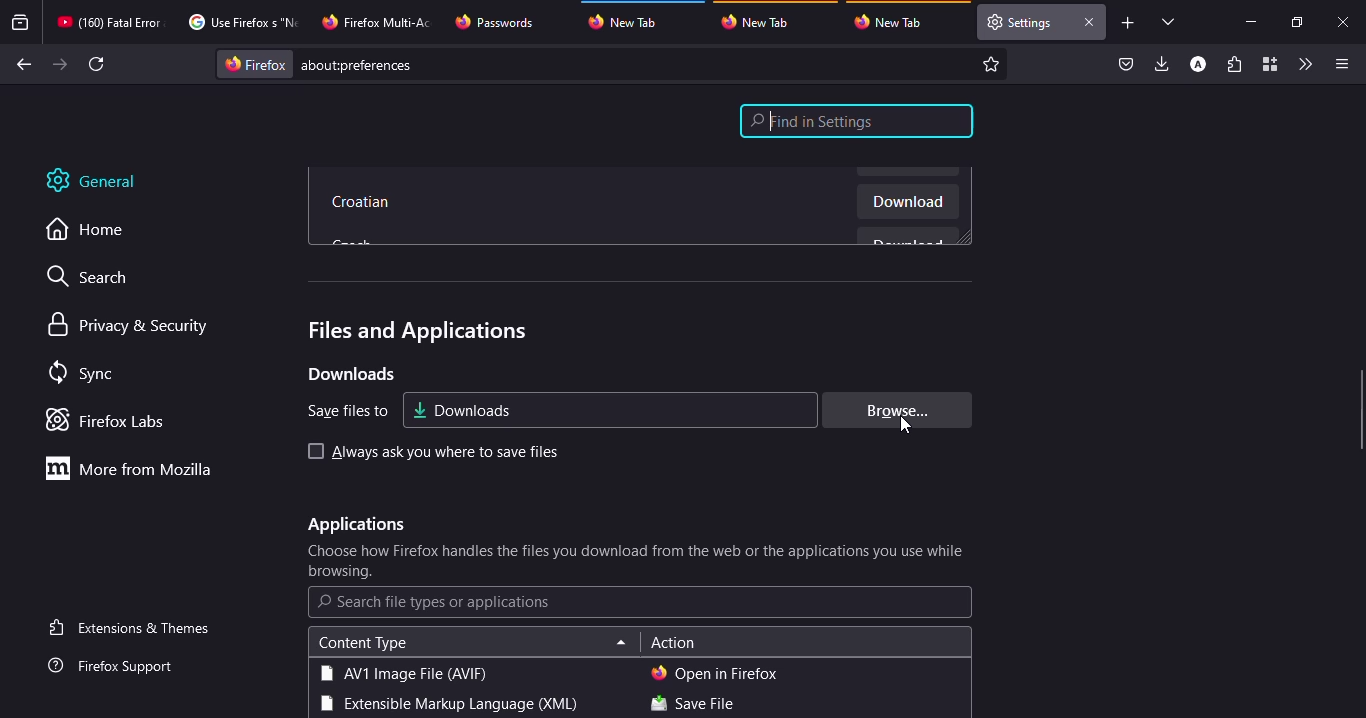  What do you see at coordinates (117, 667) in the screenshot?
I see `support` at bounding box center [117, 667].